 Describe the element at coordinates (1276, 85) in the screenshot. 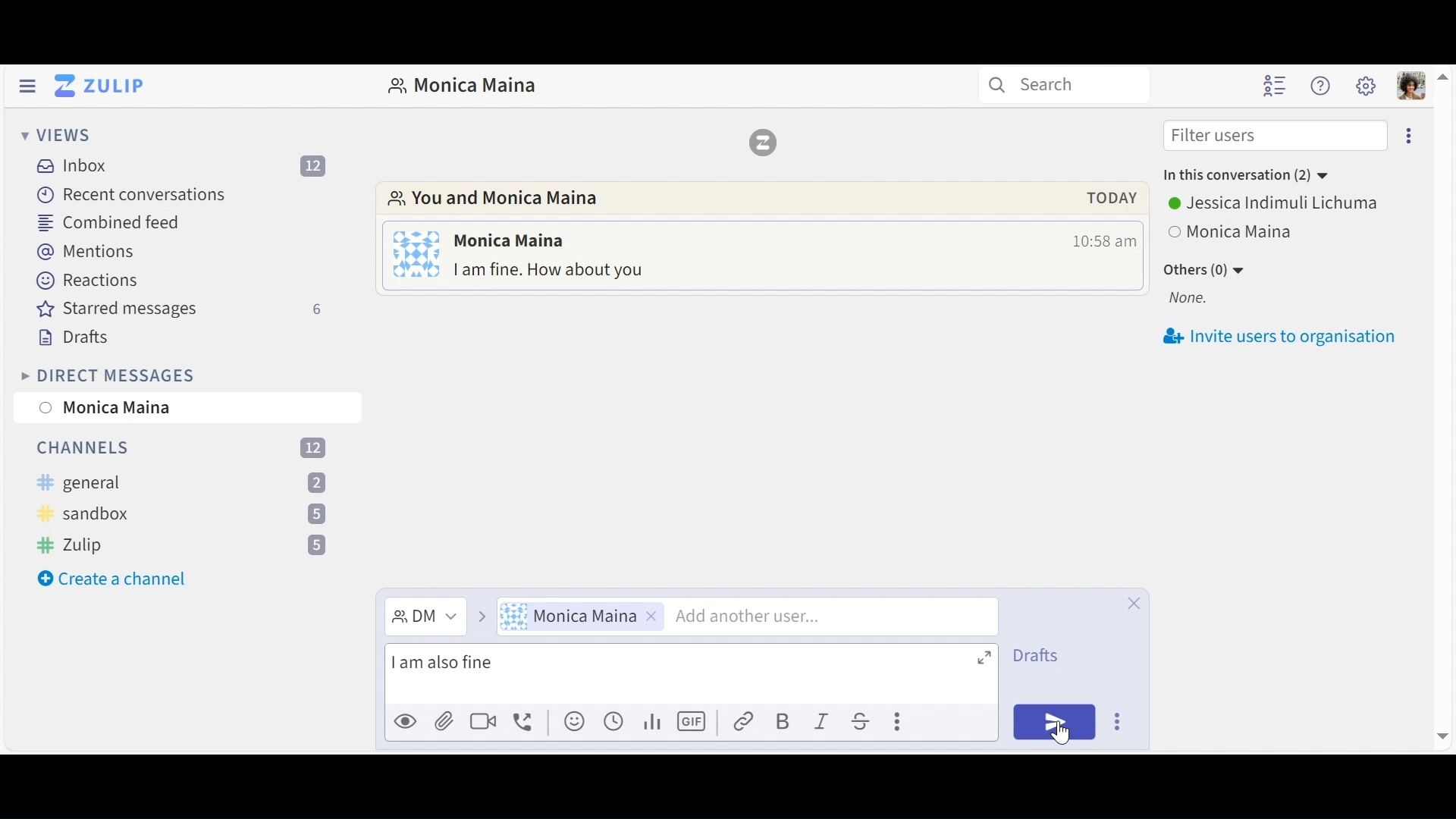

I see `Hide user list` at that location.